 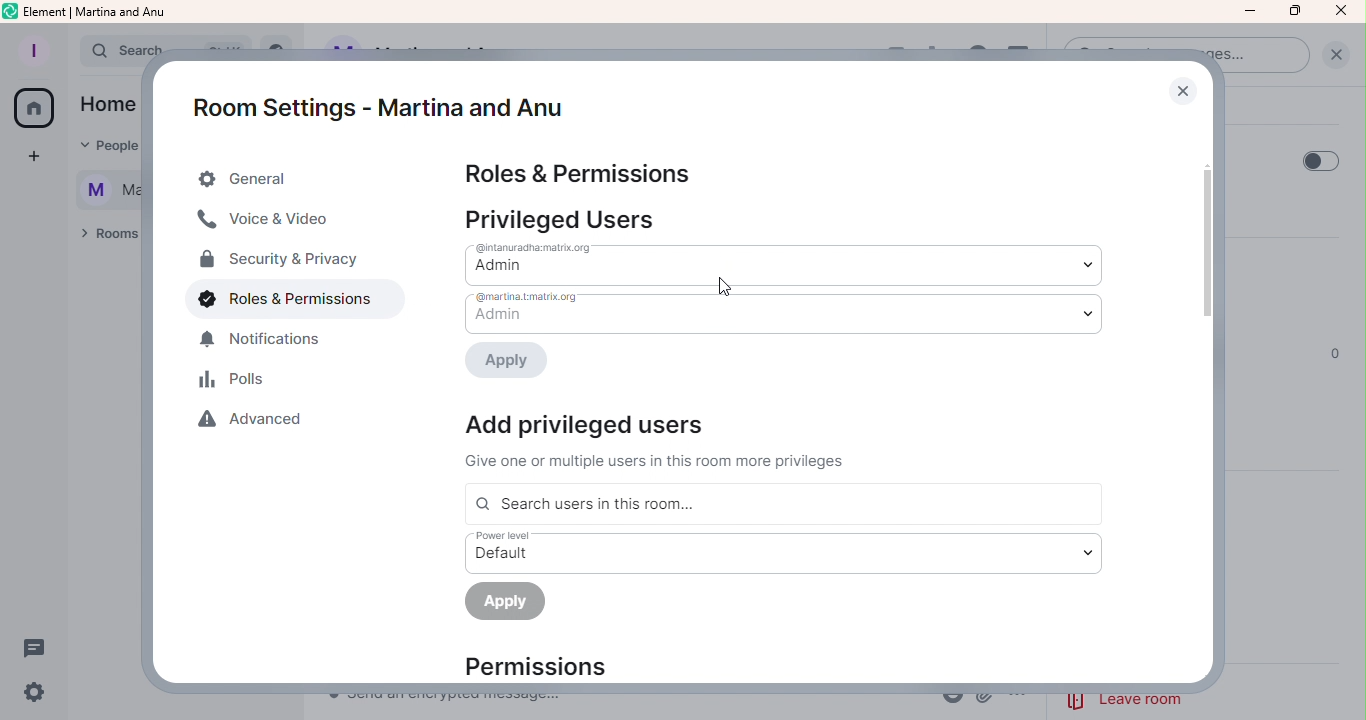 What do you see at coordinates (782, 313) in the screenshot?
I see `Drop down menu` at bounding box center [782, 313].